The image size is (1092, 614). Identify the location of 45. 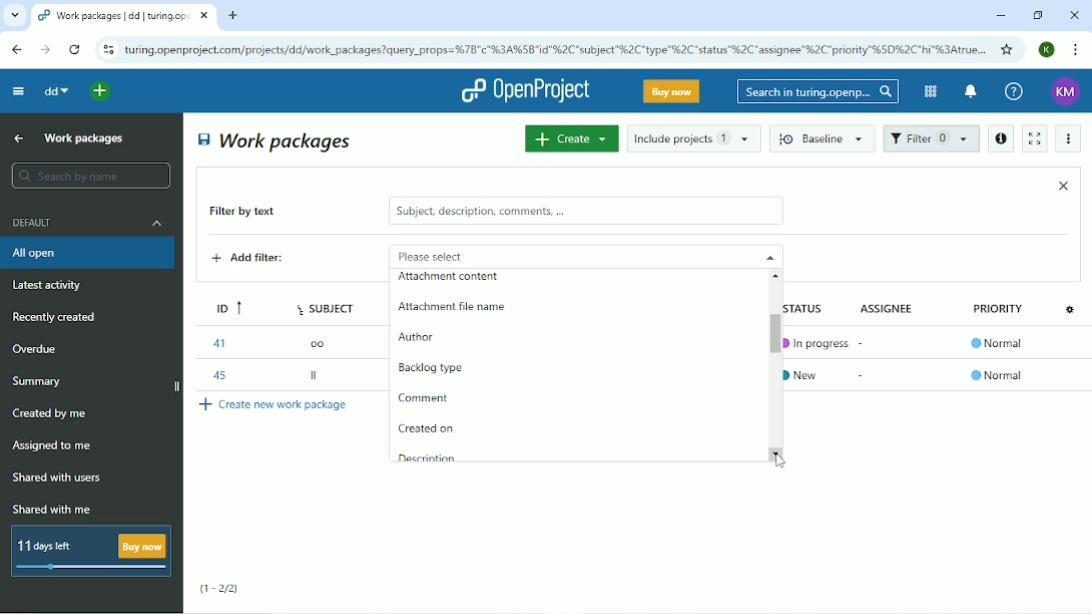
(217, 373).